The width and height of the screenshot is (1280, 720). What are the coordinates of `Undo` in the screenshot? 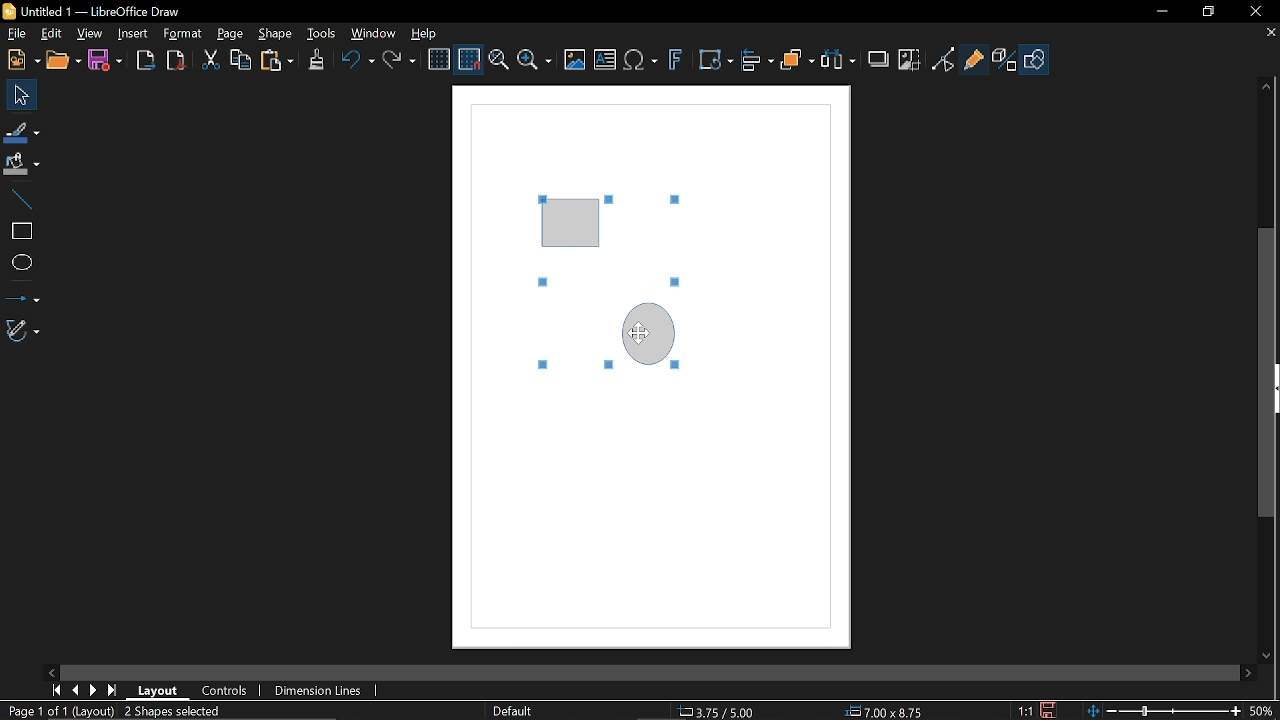 It's located at (358, 61).